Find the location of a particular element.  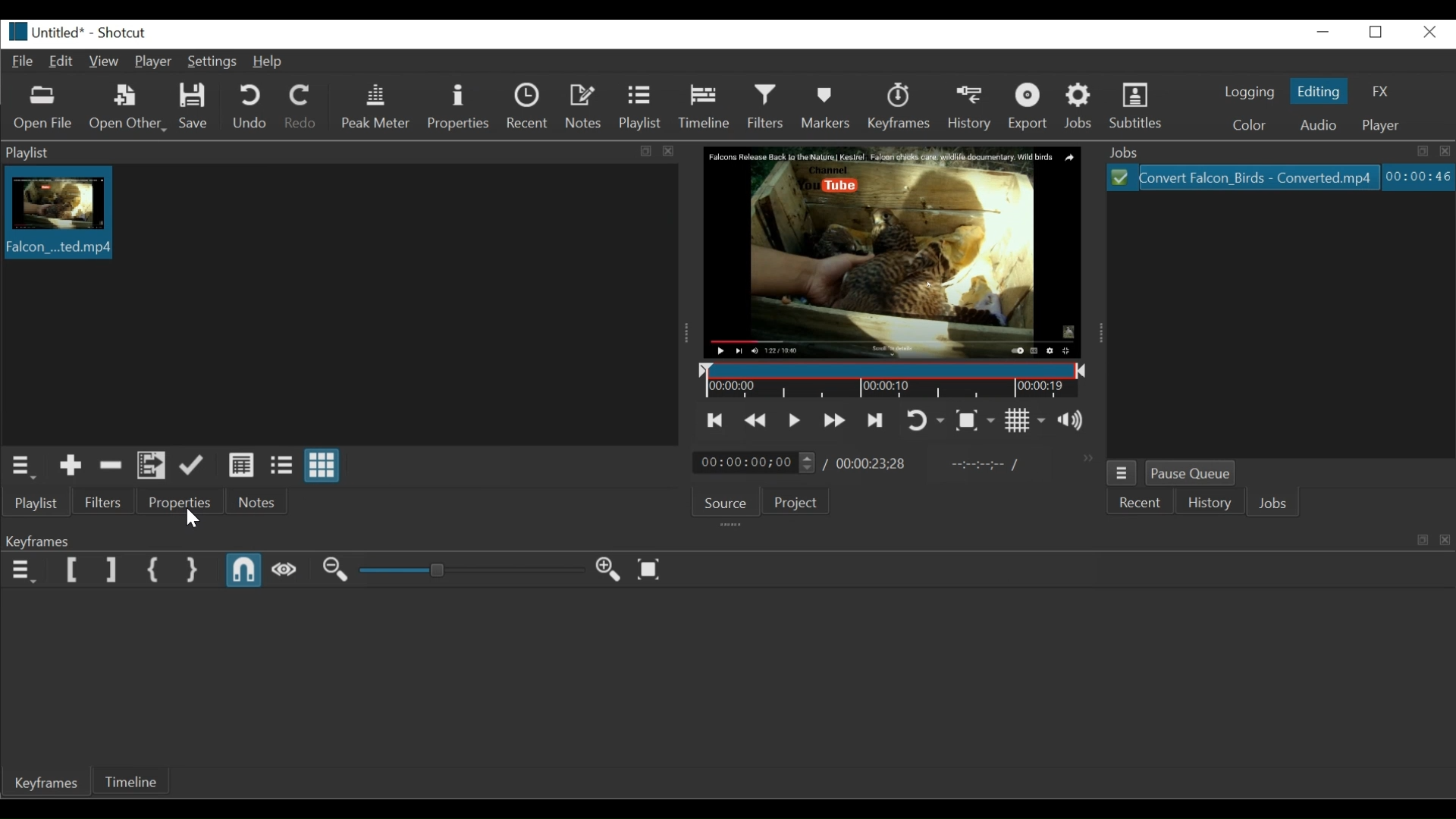

Filters is located at coordinates (102, 501).